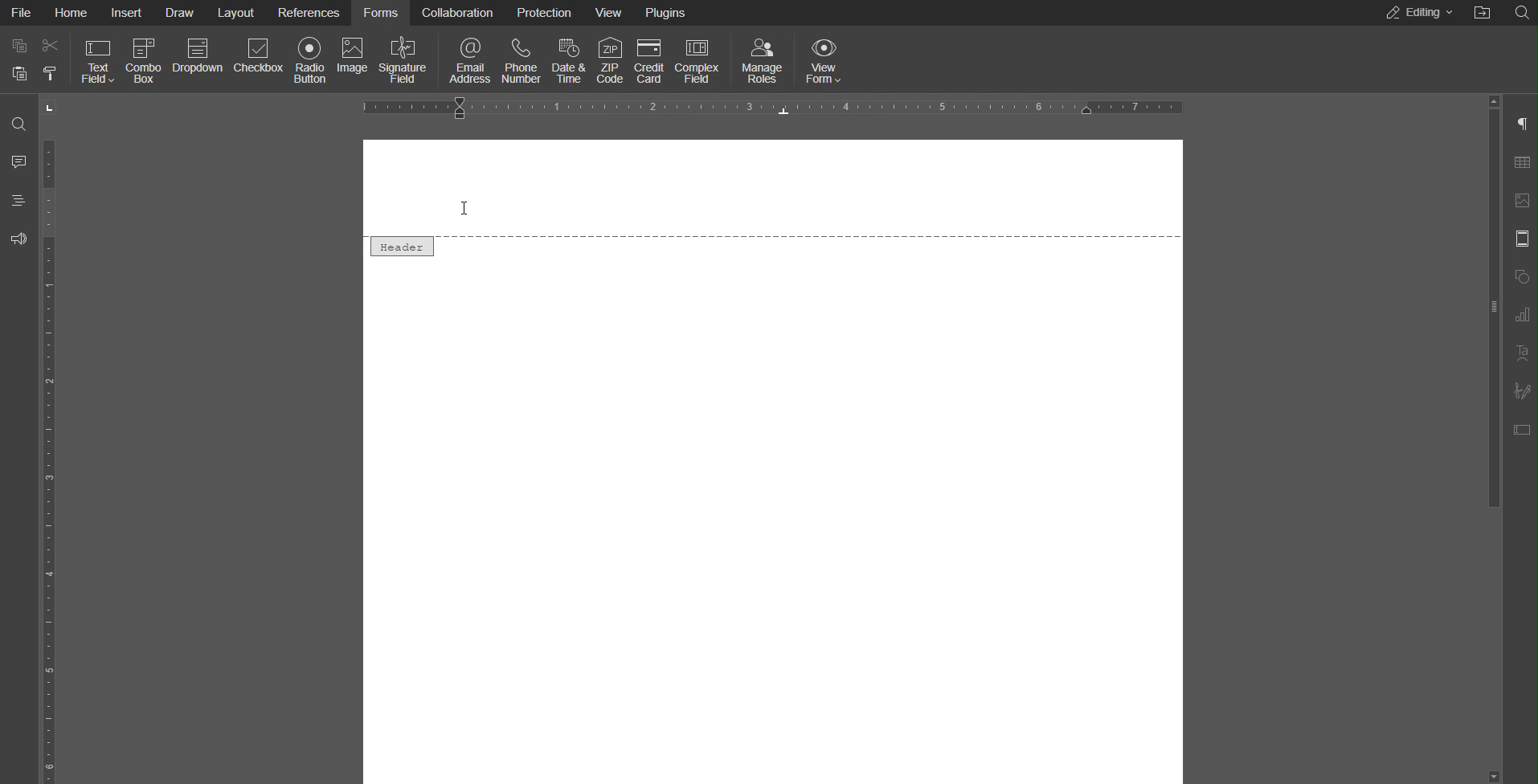  Describe the element at coordinates (145, 59) in the screenshot. I see `Combo Box` at that location.